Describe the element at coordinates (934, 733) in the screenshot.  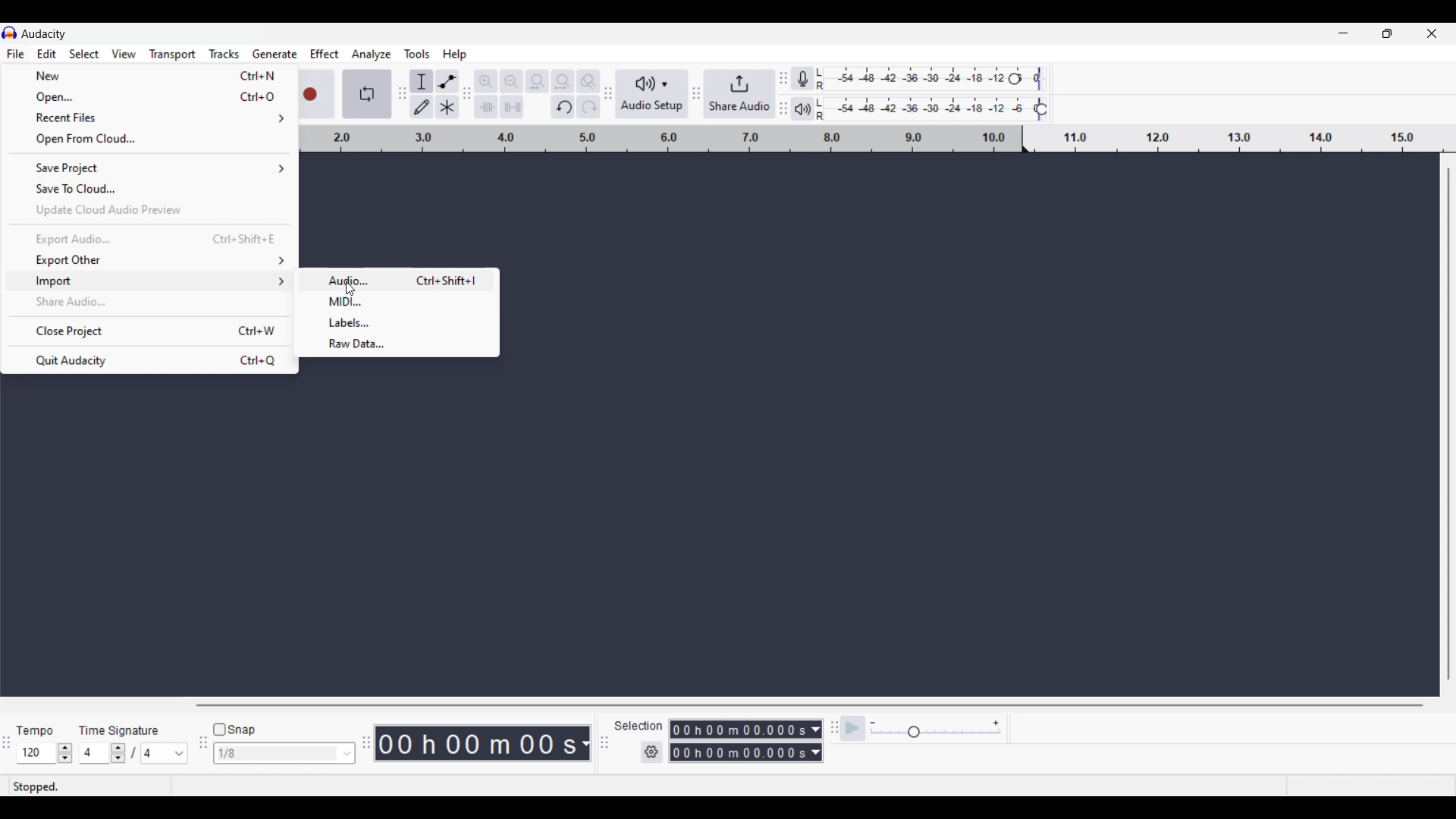
I see `Slider to change playback speed` at that location.